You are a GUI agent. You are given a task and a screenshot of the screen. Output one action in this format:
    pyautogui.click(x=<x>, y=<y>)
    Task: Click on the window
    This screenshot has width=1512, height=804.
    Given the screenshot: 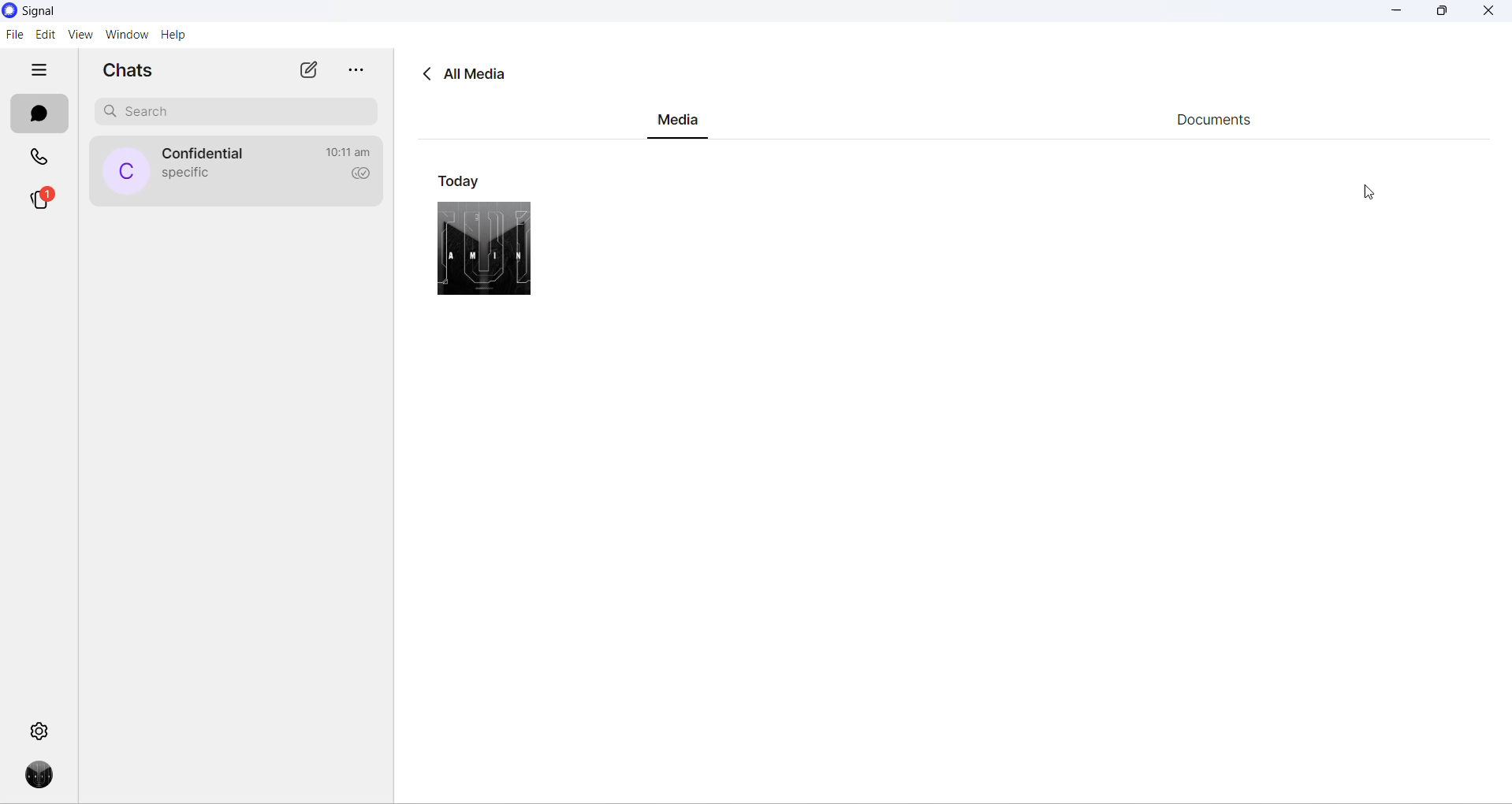 What is the action you would take?
    pyautogui.click(x=125, y=35)
    